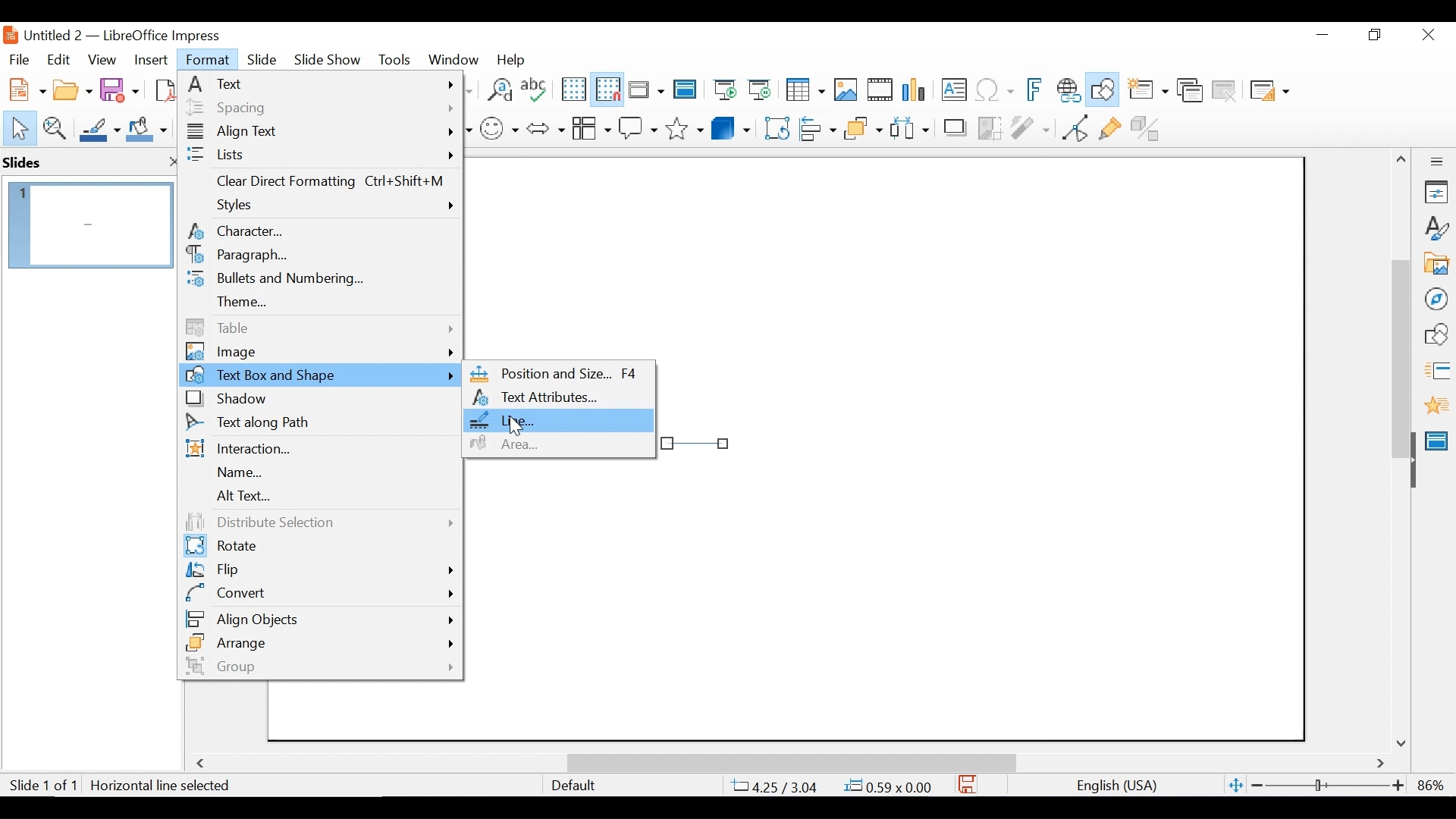 The height and width of the screenshot is (819, 1456). I want to click on Save, so click(121, 89).